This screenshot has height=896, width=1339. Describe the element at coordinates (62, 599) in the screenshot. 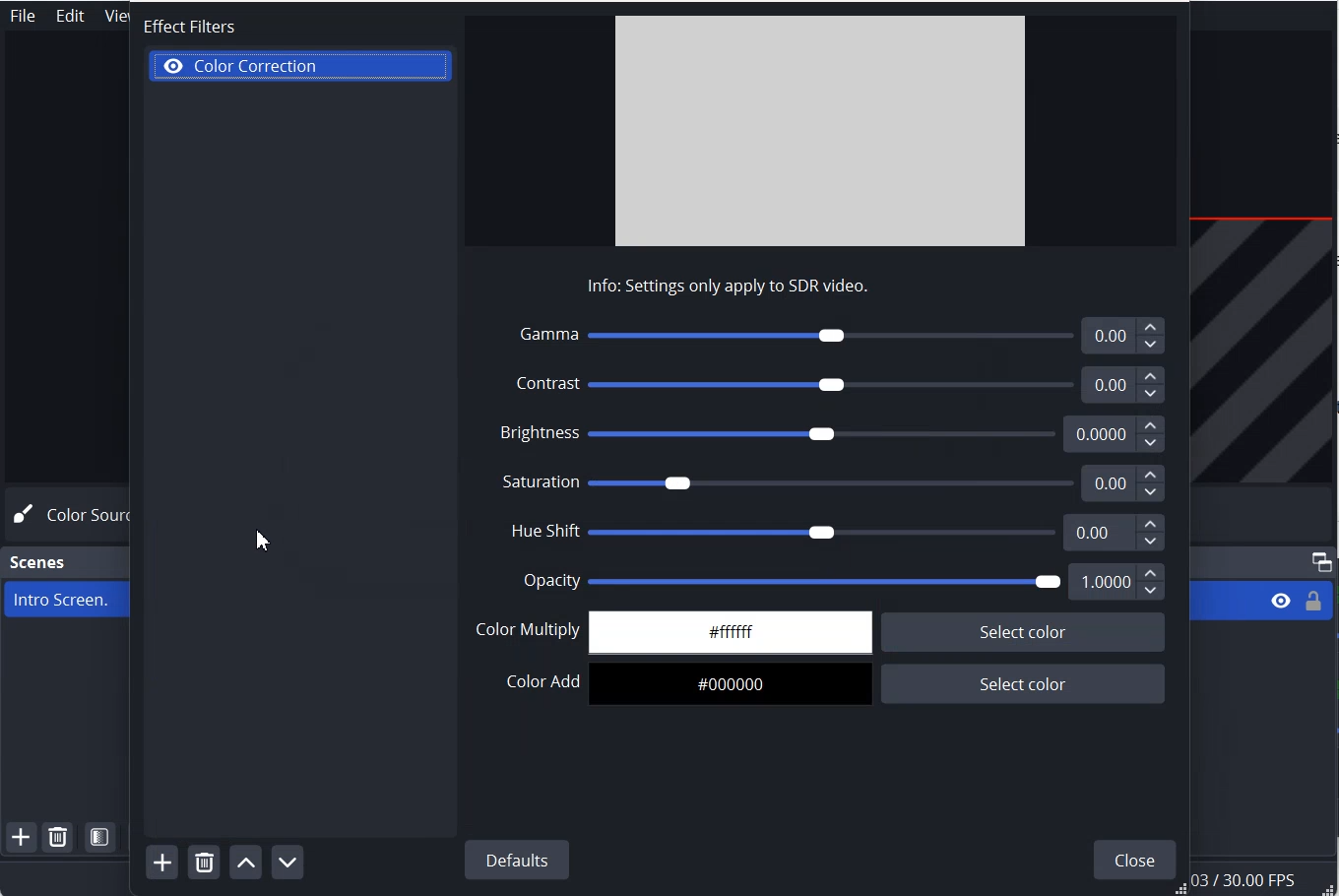

I see `Intro Screen ` at that location.